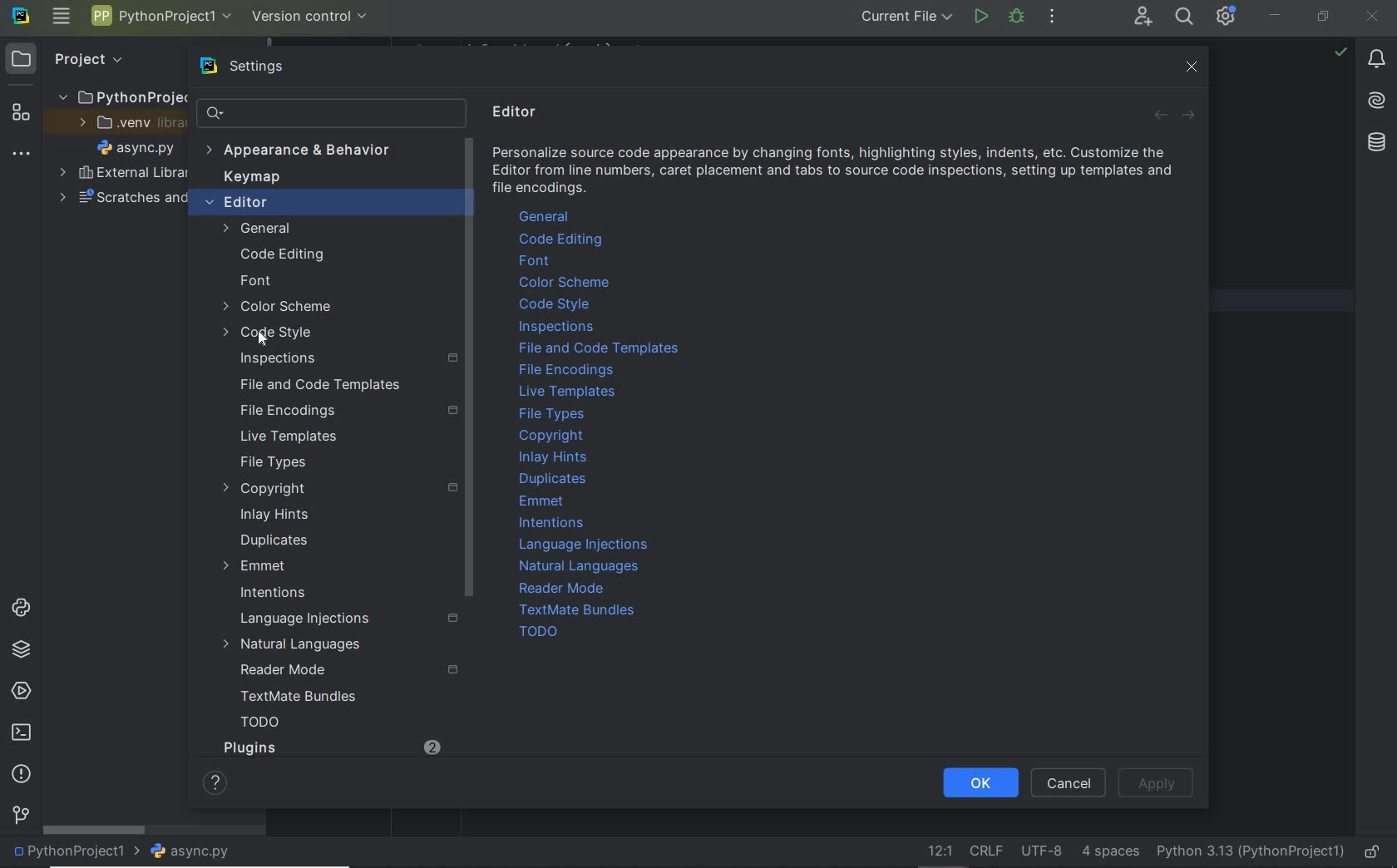 The height and width of the screenshot is (868, 1397). I want to click on TODO, so click(260, 725).